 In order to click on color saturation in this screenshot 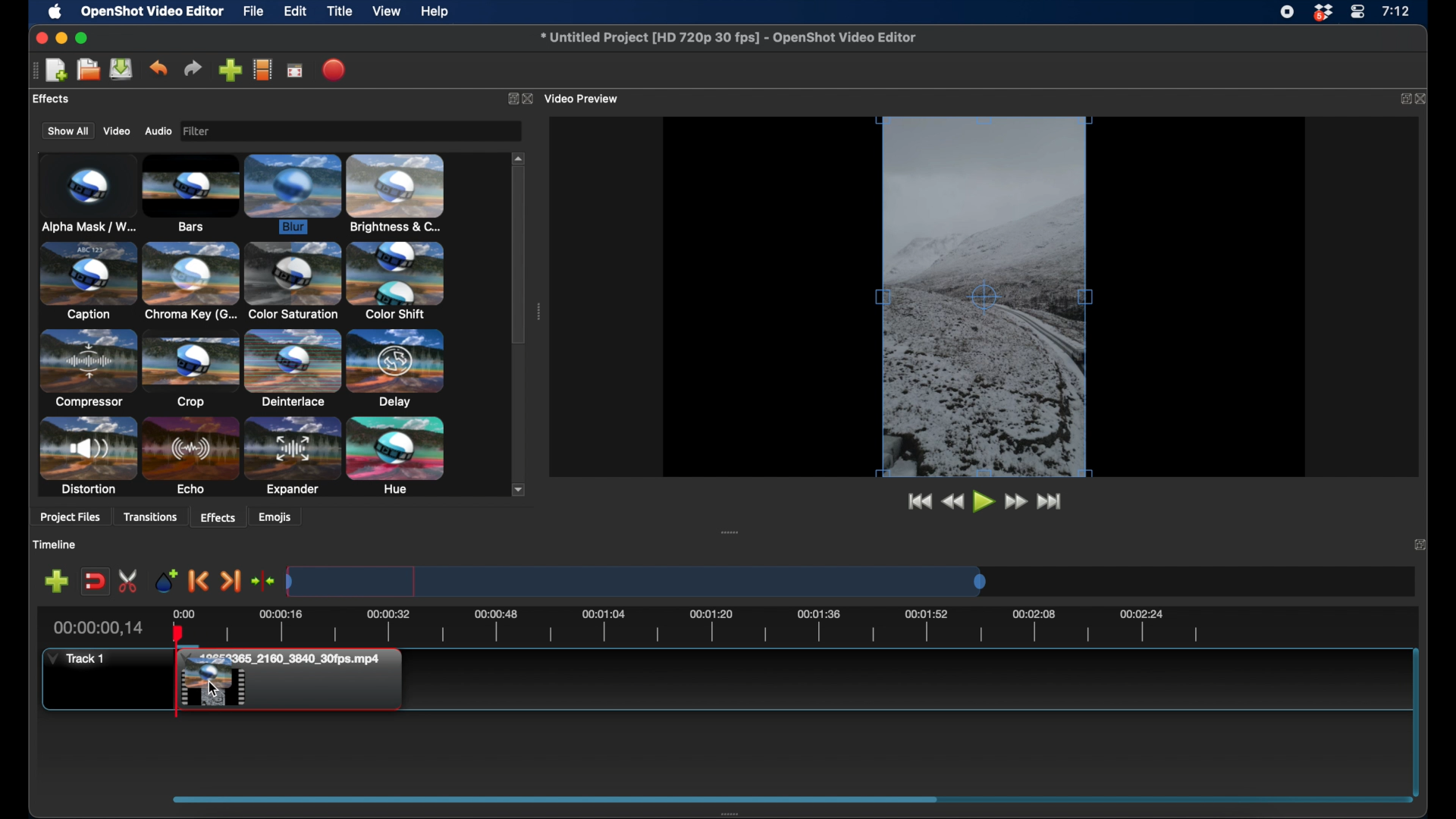, I will do `click(292, 281)`.